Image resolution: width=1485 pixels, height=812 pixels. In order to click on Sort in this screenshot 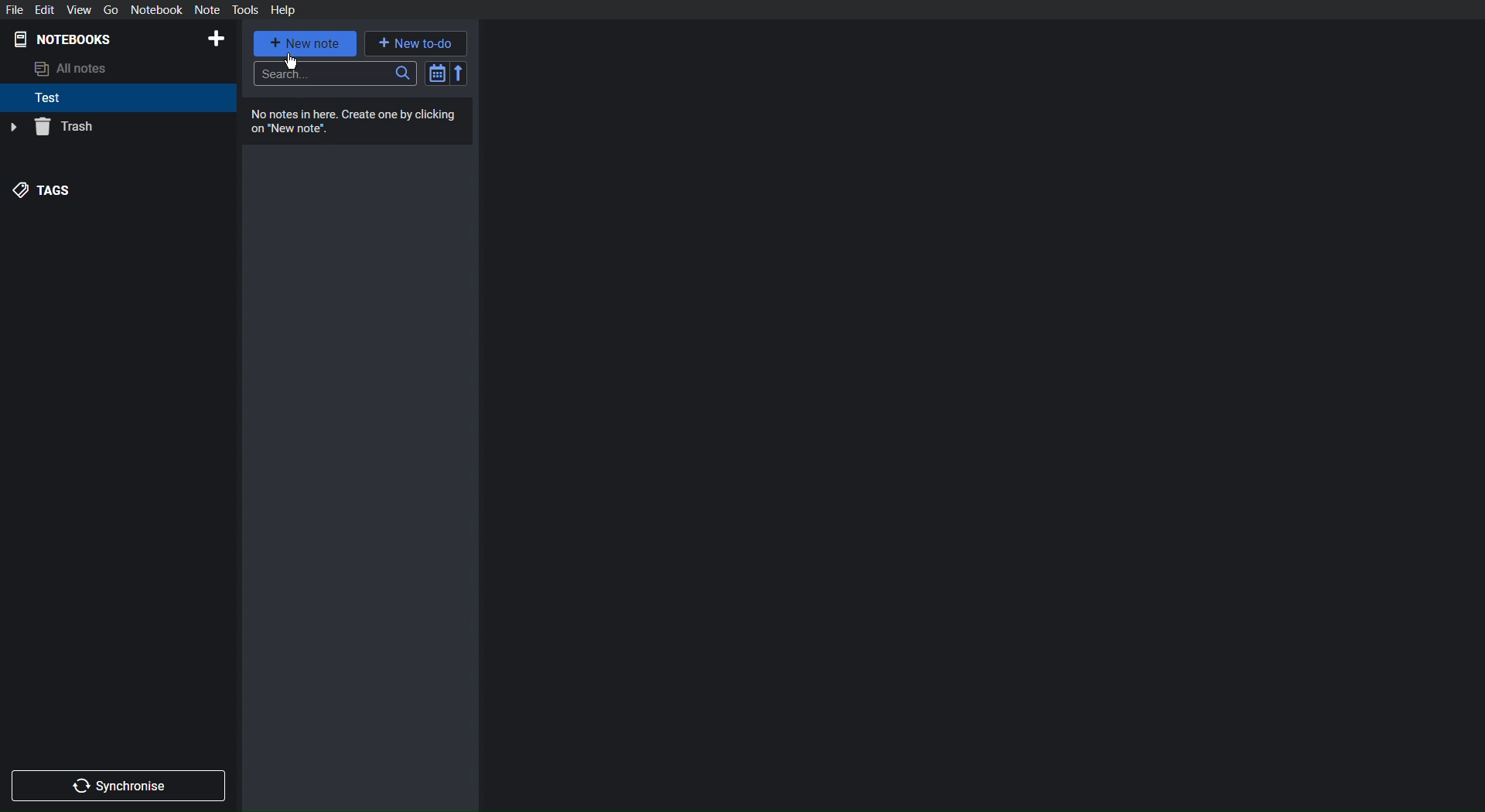, I will do `click(446, 73)`.